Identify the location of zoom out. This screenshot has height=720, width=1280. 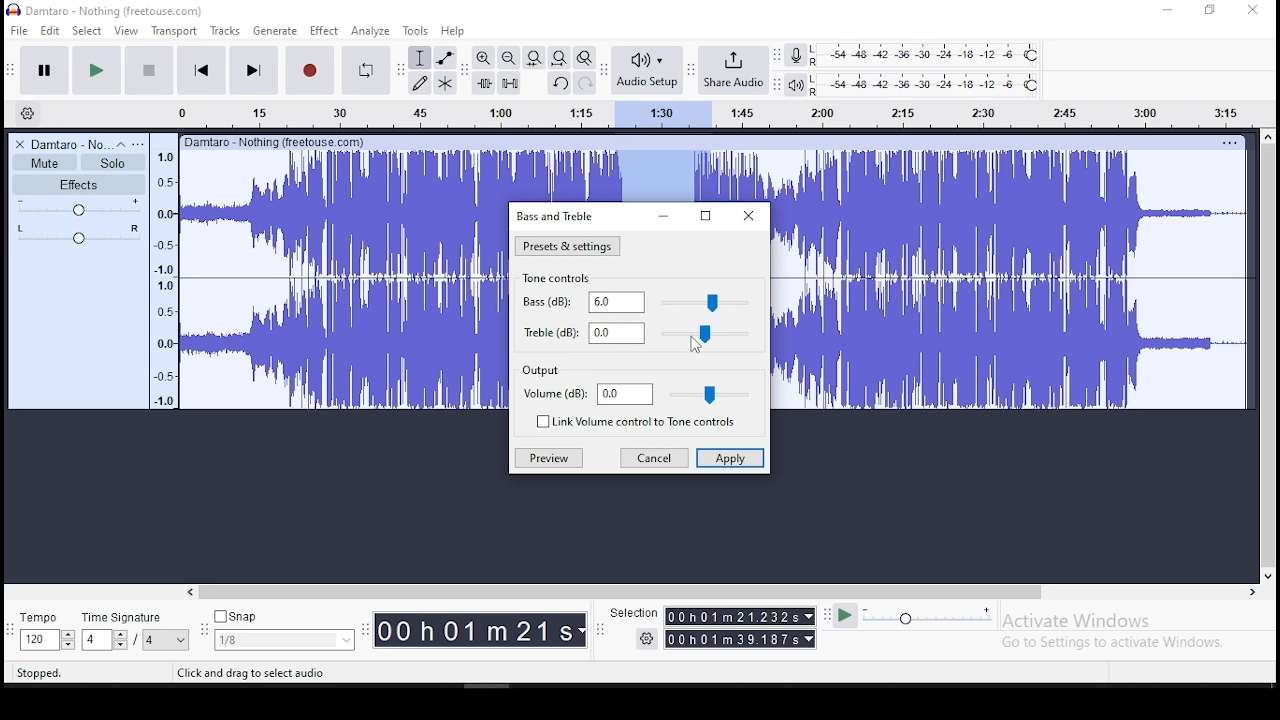
(508, 57).